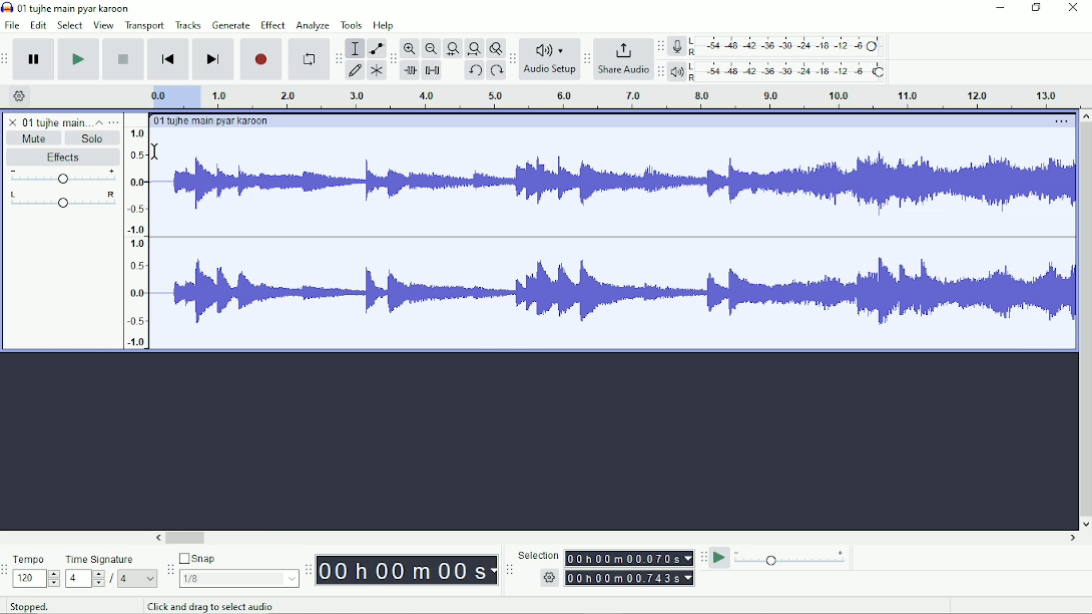 This screenshot has height=614, width=1092. What do you see at coordinates (36, 578) in the screenshot?
I see `Tempo Range` at bounding box center [36, 578].